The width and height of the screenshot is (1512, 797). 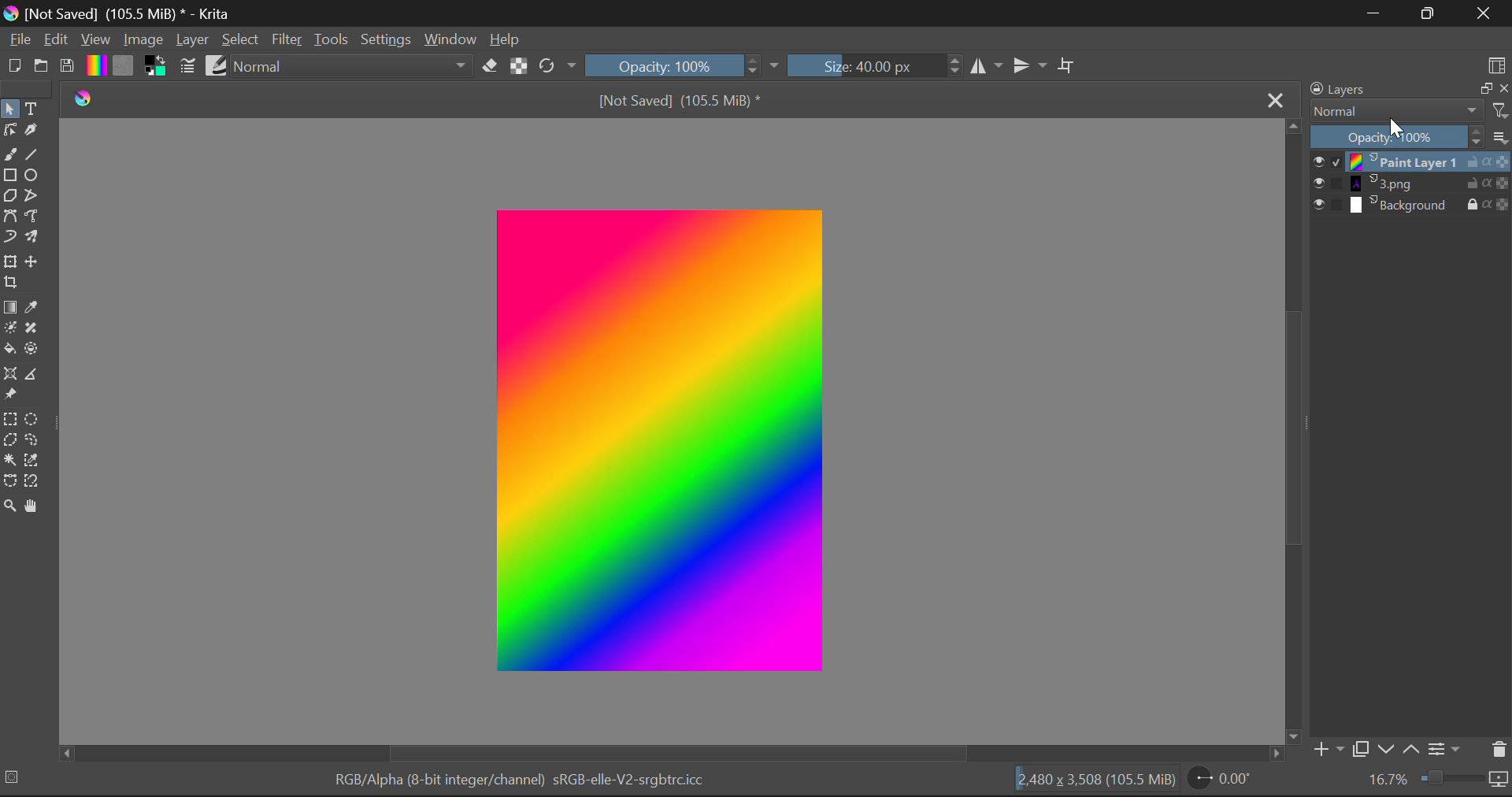 What do you see at coordinates (1375, 13) in the screenshot?
I see `Minimise` at bounding box center [1375, 13].